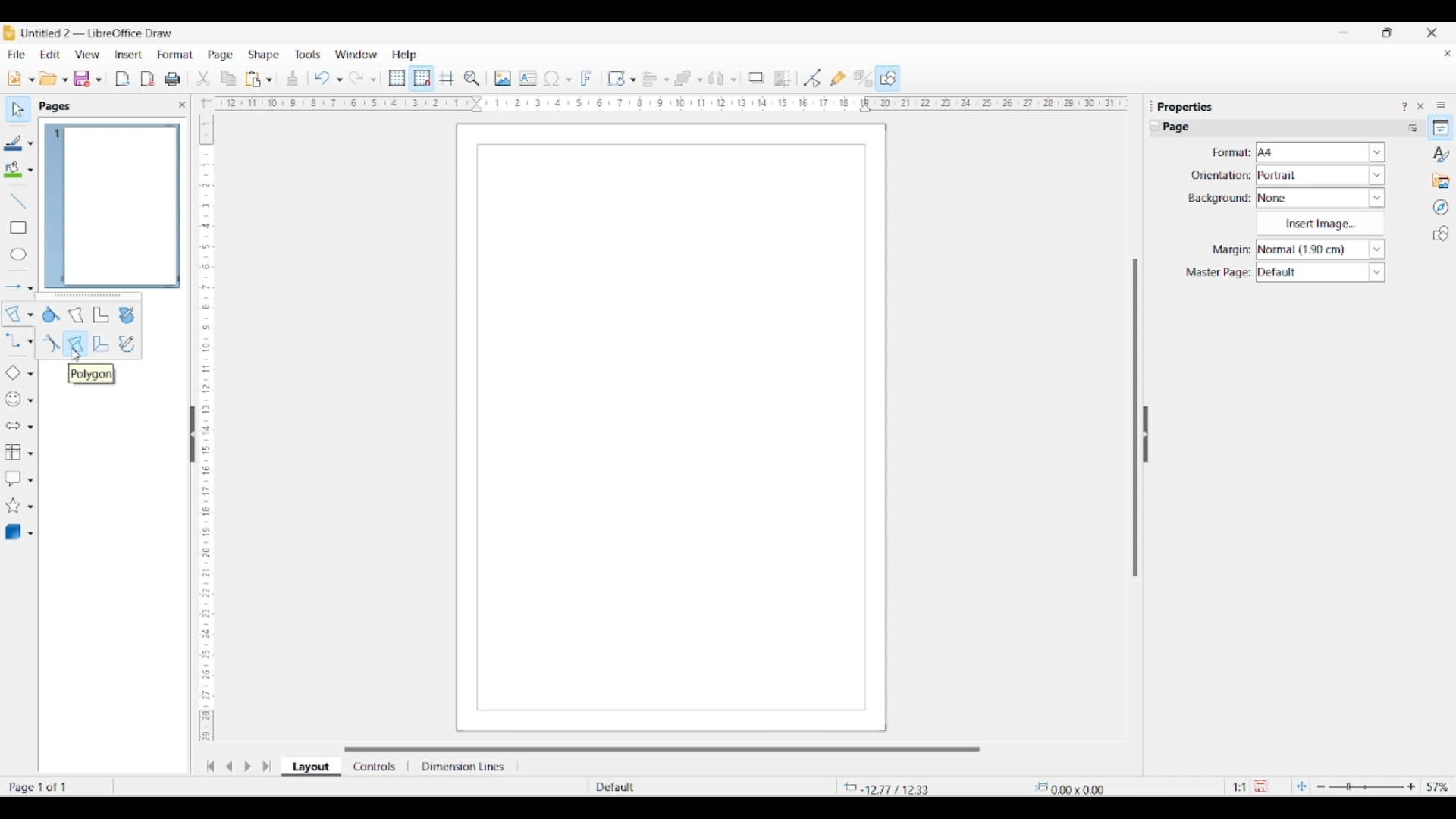 The height and width of the screenshot is (819, 1456). Describe the element at coordinates (247, 767) in the screenshot. I see `Move to next slide` at that location.